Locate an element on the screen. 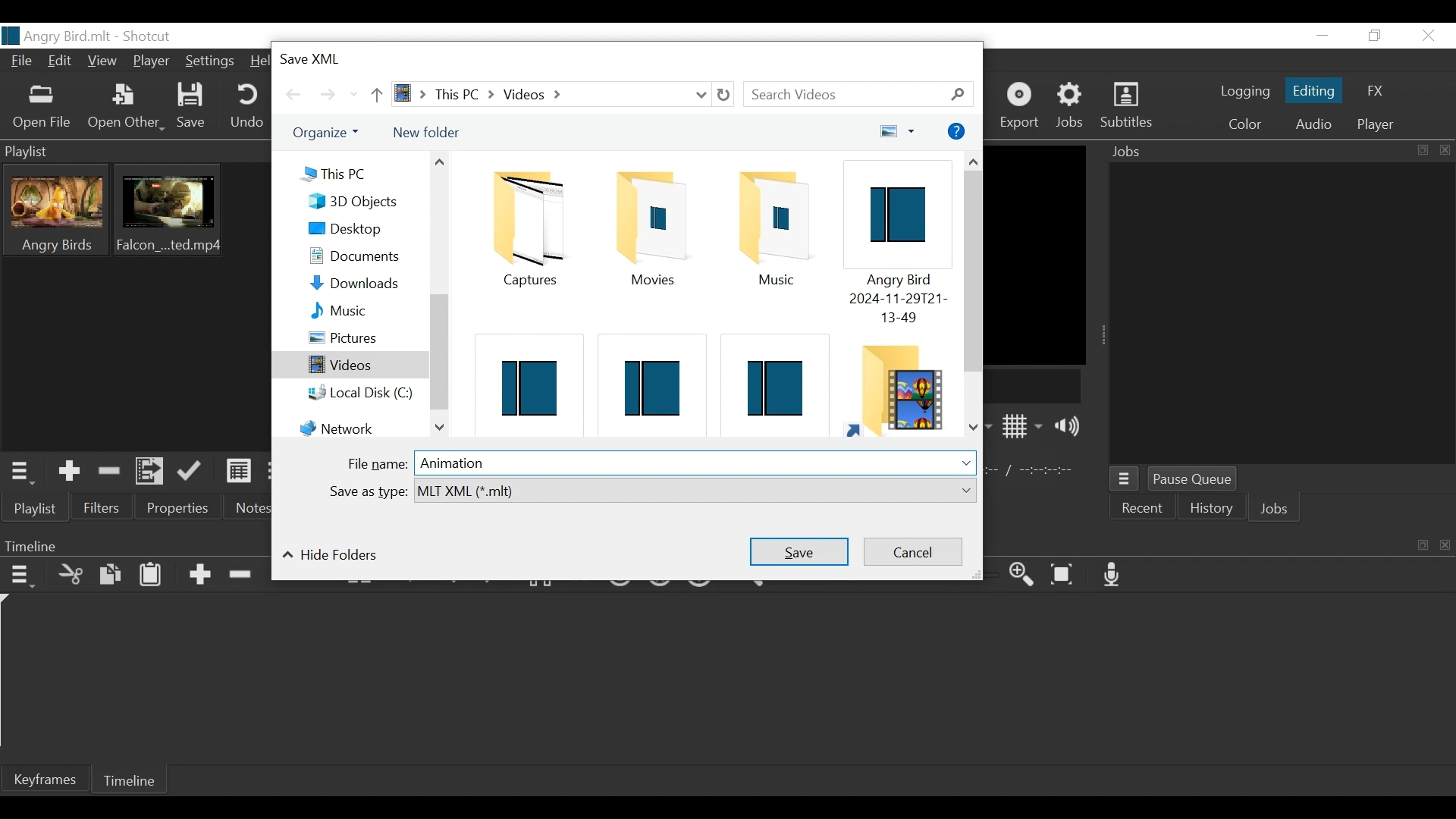 The width and height of the screenshot is (1456, 819). Shotcut File is located at coordinates (647, 381).